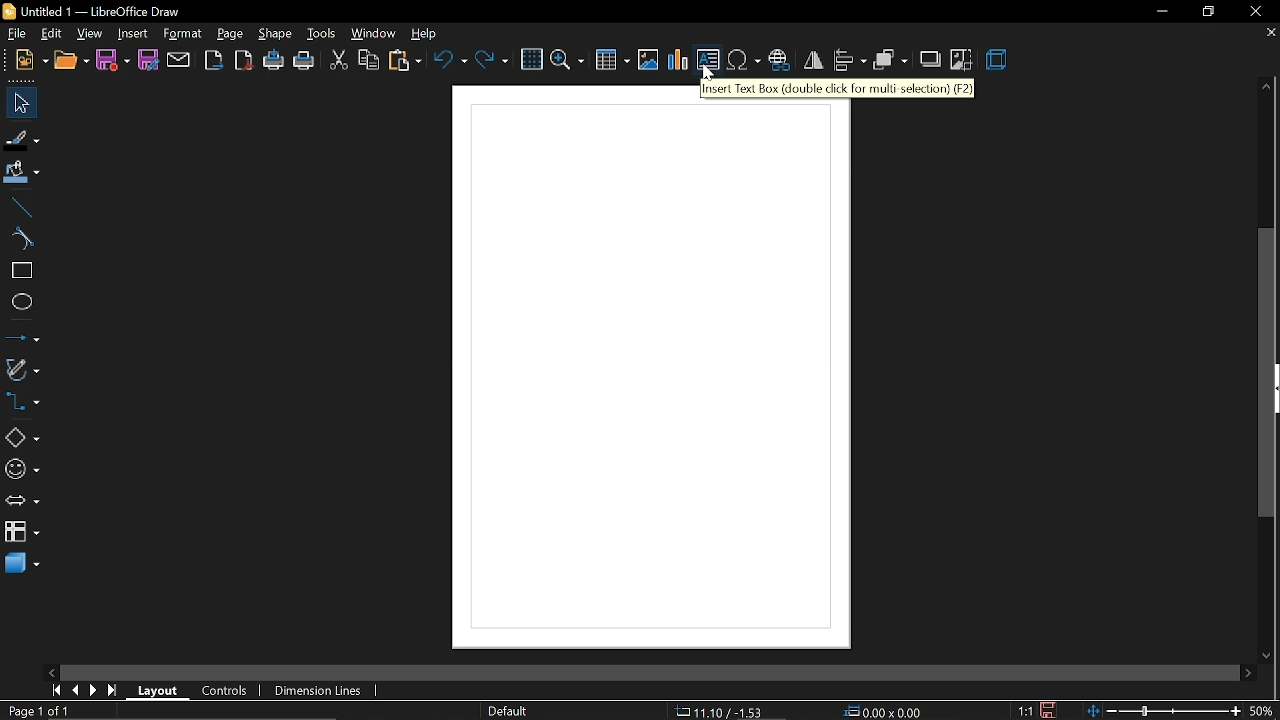 This screenshot has height=720, width=1280. I want to click on redo, so click(492, 59).